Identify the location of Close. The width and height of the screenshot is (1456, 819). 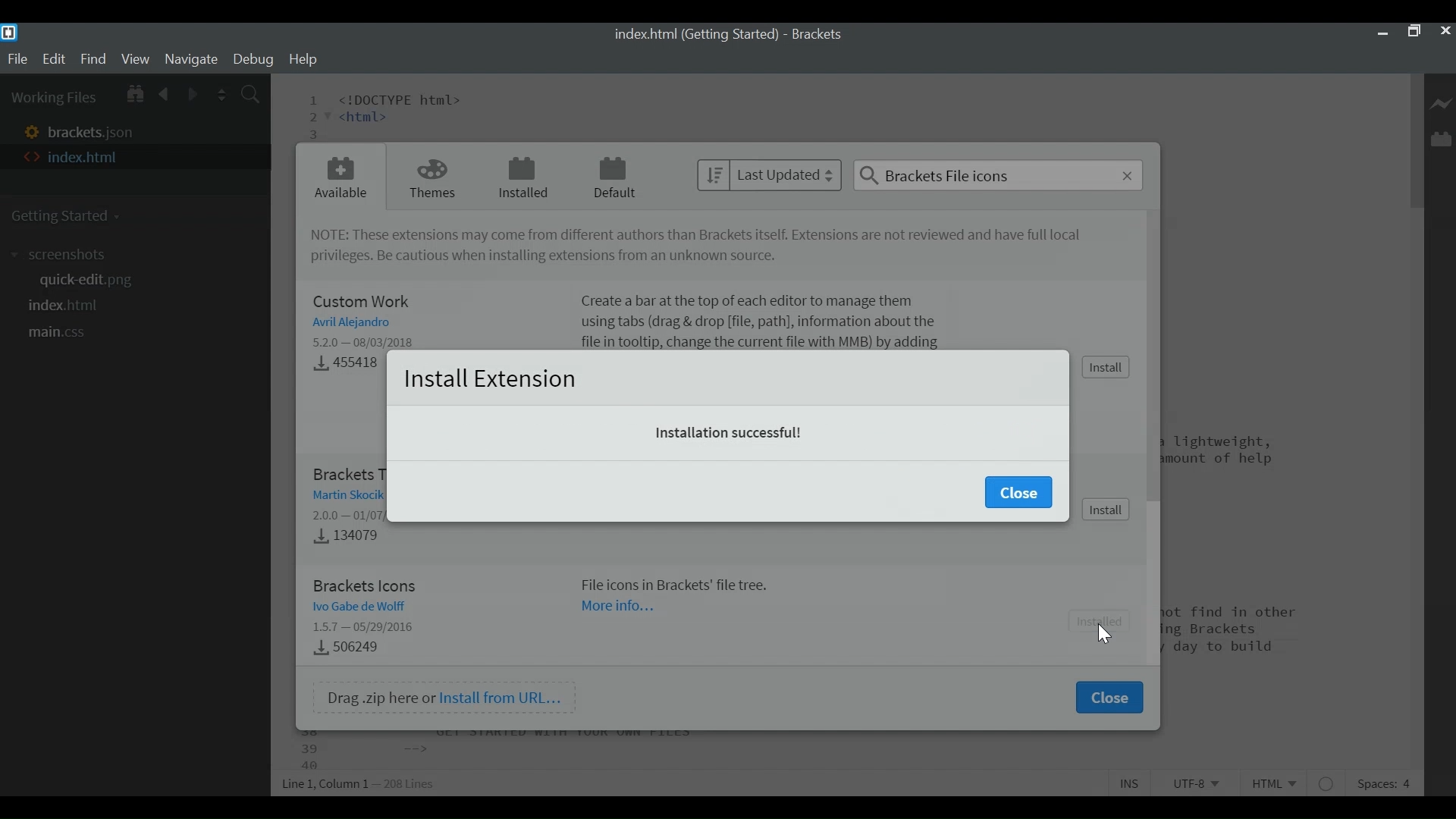
(1445, 33).